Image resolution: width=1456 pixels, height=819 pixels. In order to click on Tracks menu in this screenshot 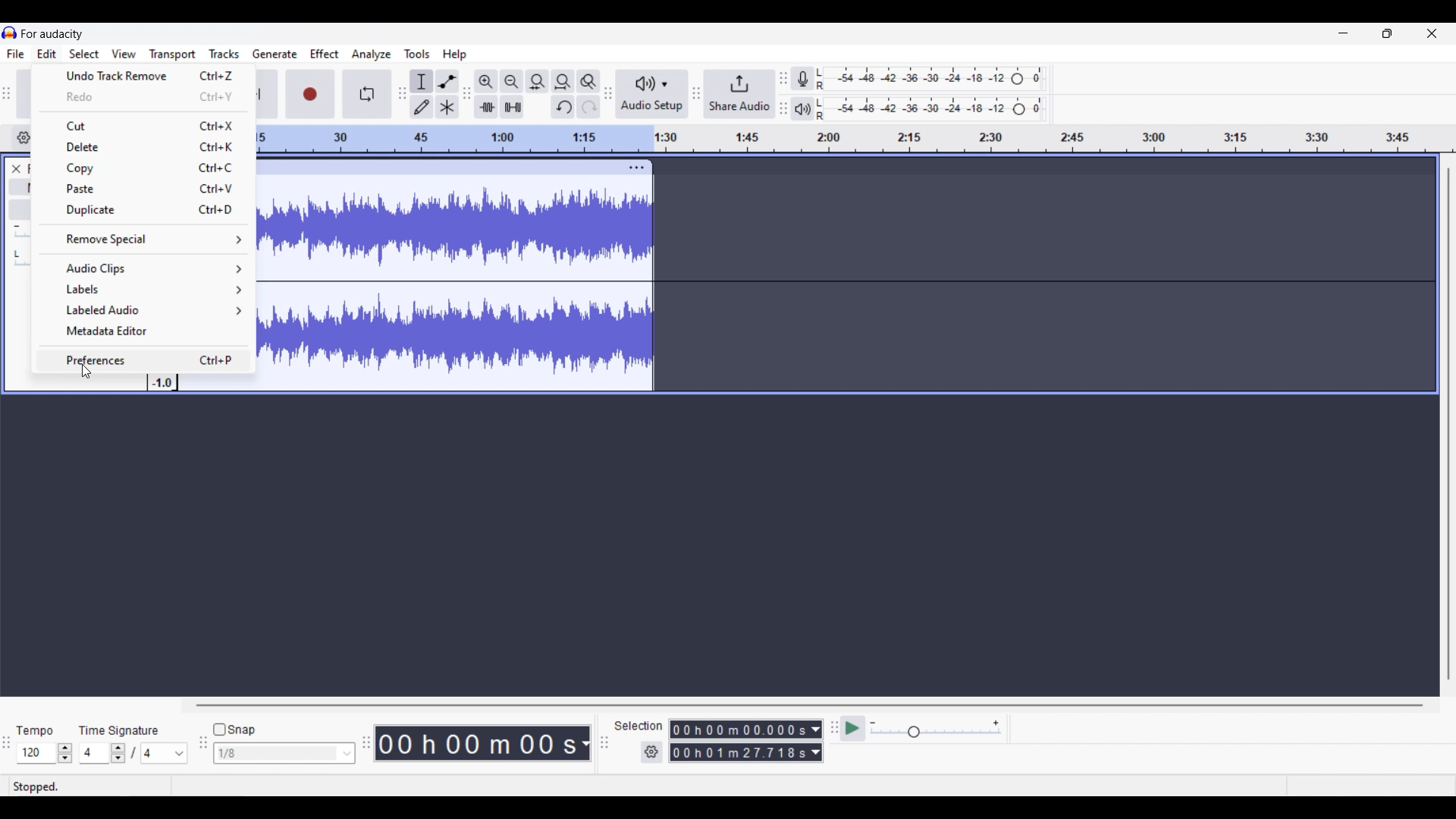, I will do `click(224, 54)`.